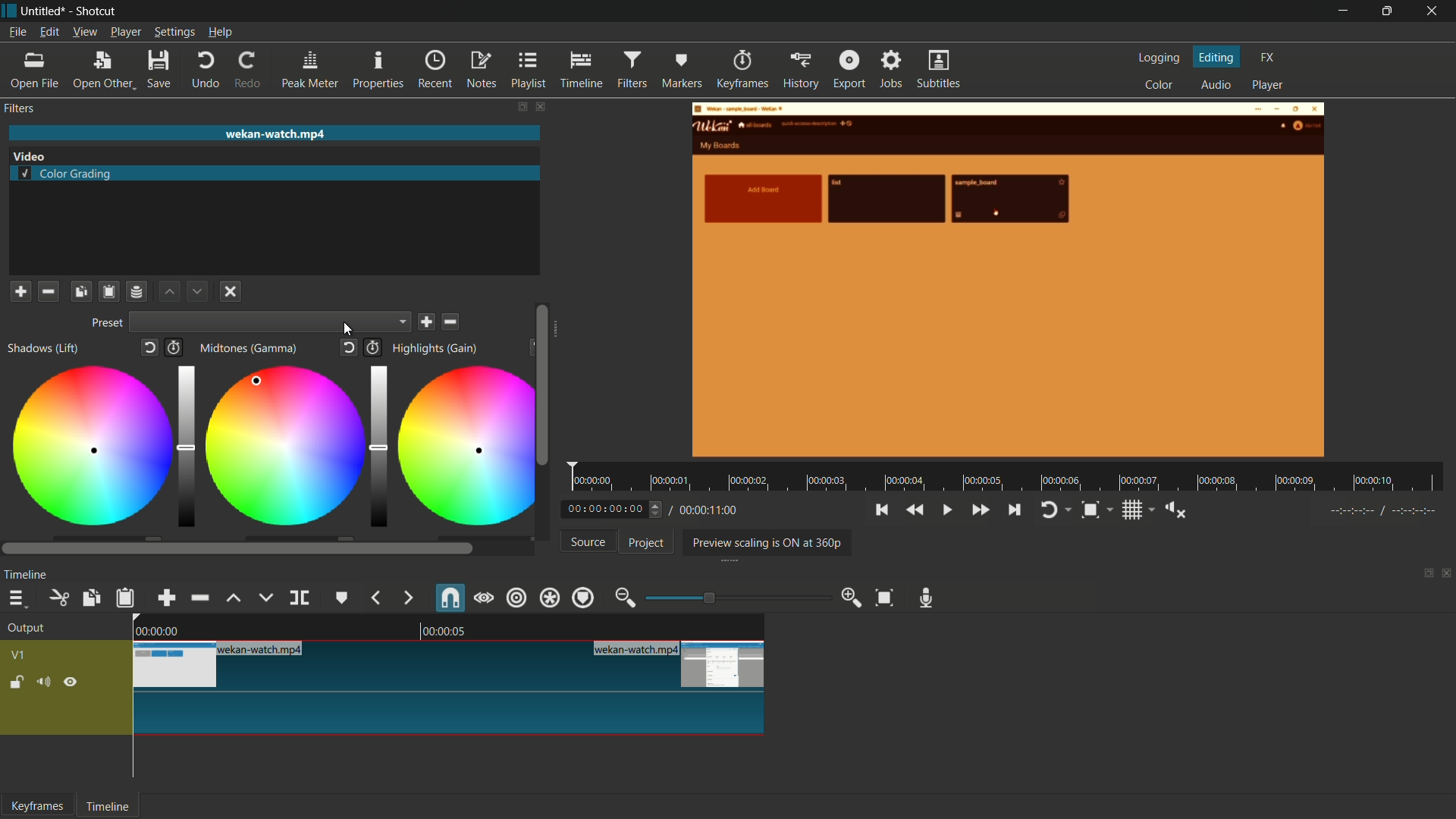 The image size is (1456, 819). What do you see at coordinates (275, 133) in the screenshot?
I see `imported file name` at bounding box center [275, 133].